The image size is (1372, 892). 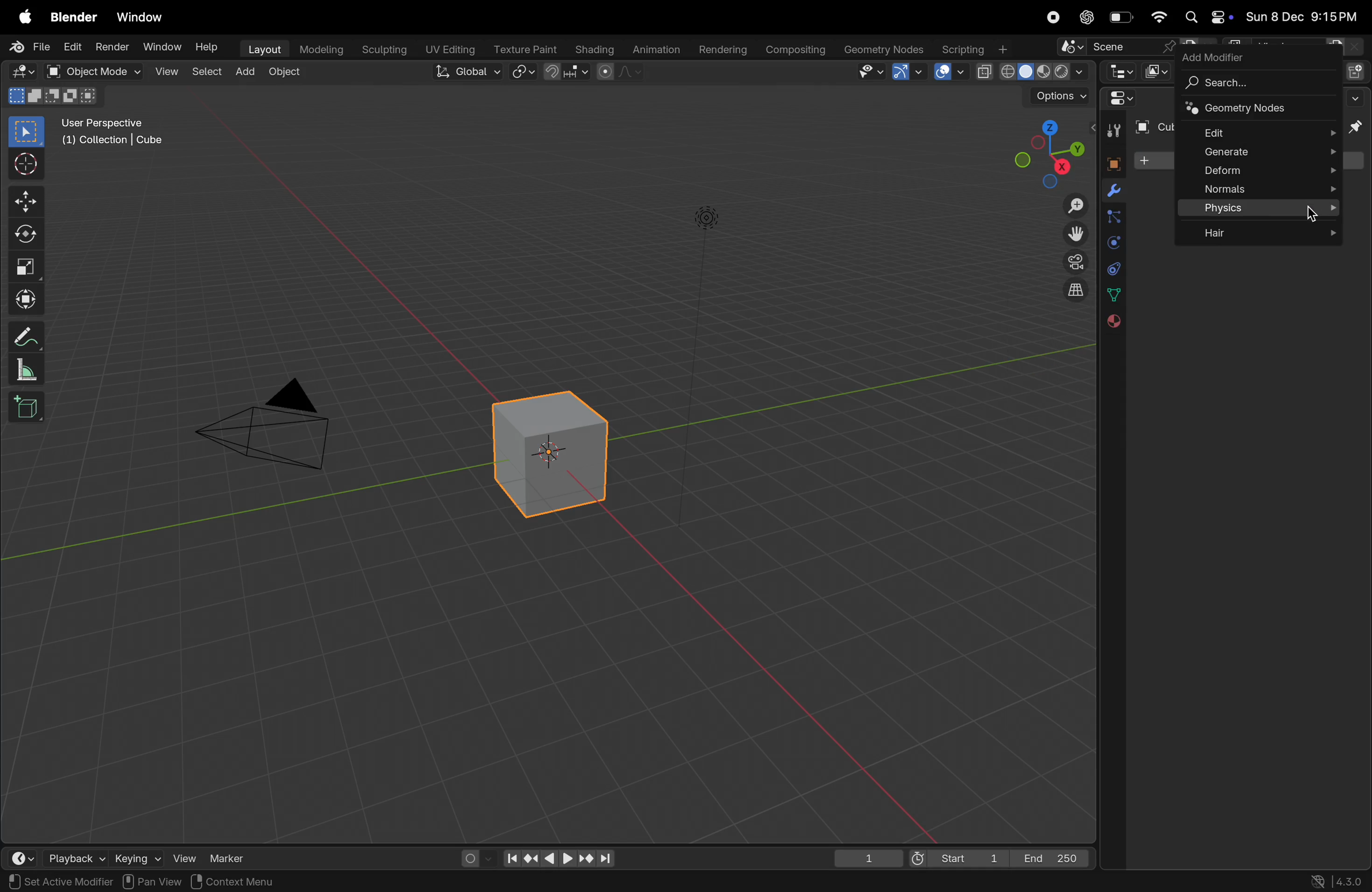 I want to click on show overlays, so click(x=949, y=71).